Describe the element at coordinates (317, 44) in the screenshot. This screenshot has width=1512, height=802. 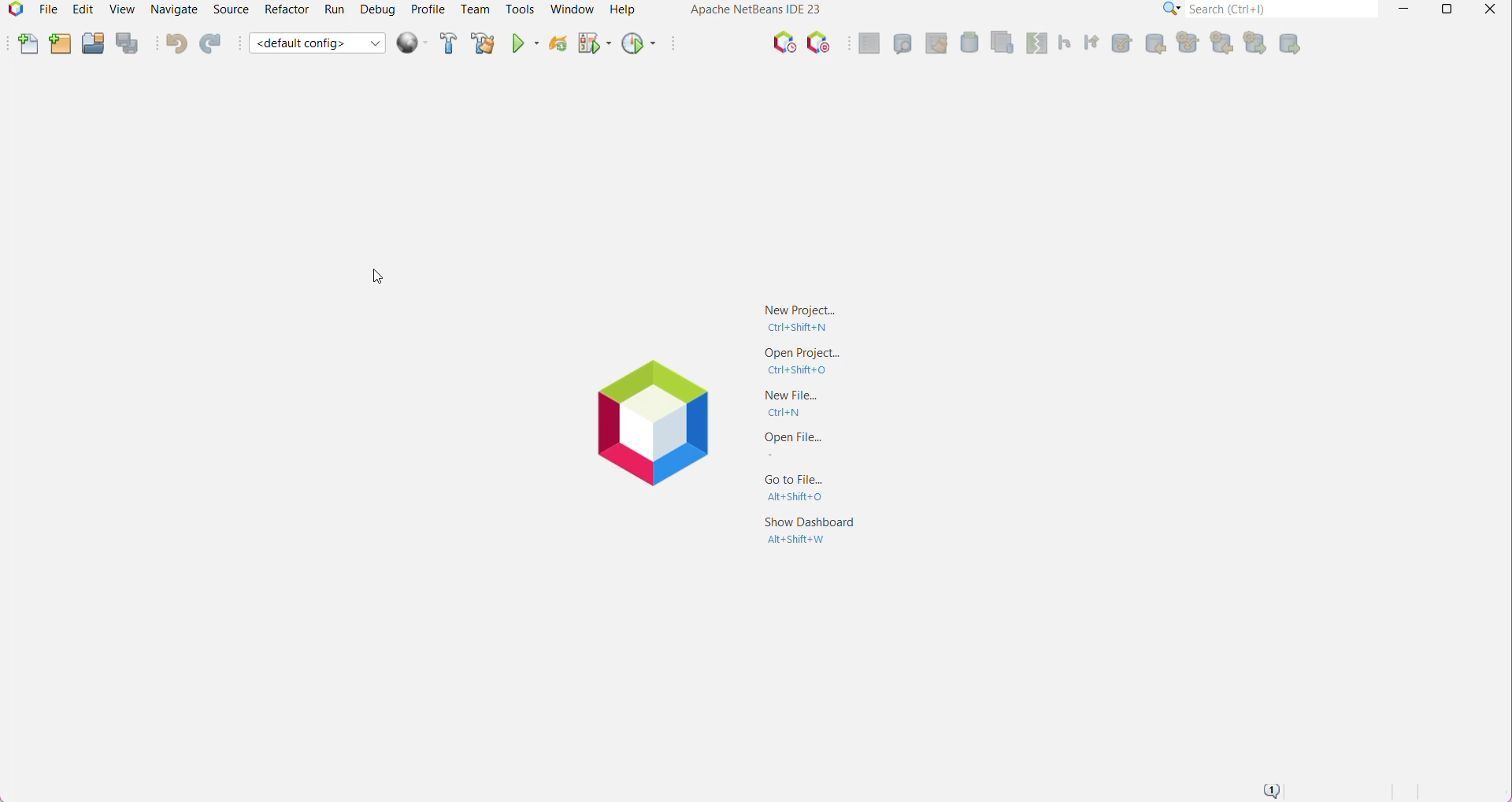
I see `Set Project Configuration` at that location.